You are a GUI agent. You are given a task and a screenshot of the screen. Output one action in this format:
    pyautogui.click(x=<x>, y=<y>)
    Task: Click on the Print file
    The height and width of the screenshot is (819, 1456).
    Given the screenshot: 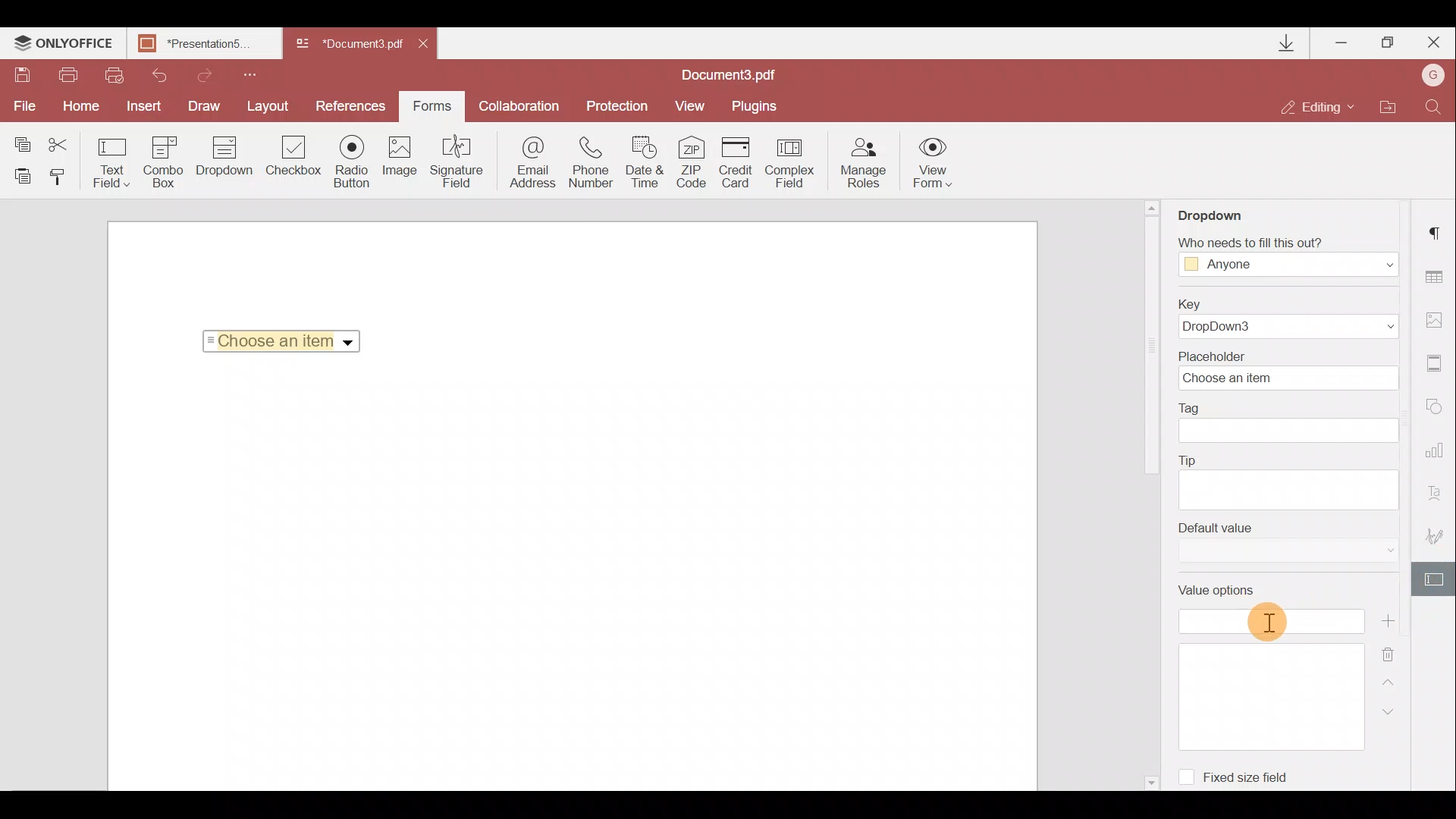 What is the action you would take?
    pyautogui.click(x=73, y=75)
    